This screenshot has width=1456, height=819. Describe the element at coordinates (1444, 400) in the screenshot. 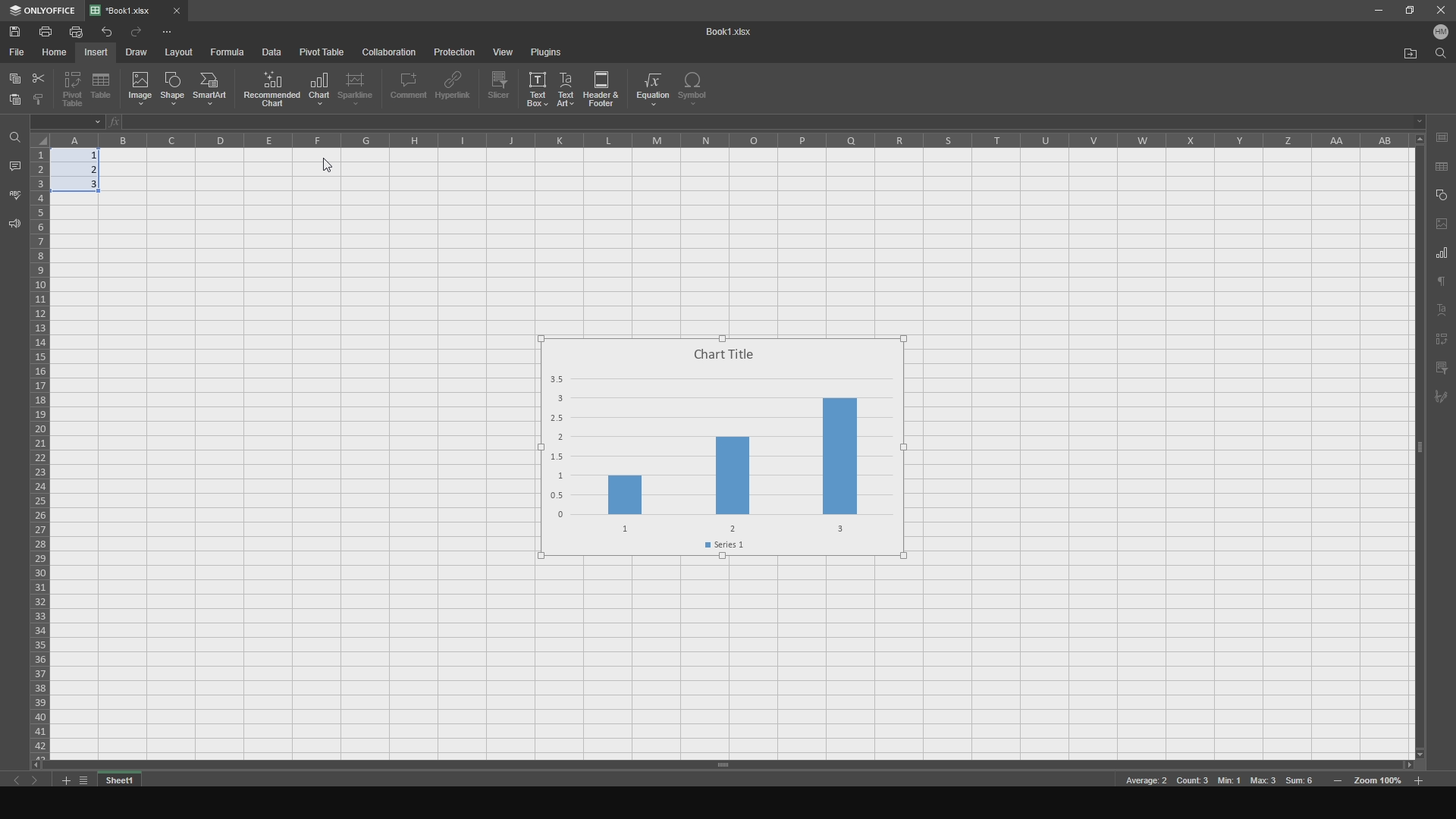

I see `signature` at that location.